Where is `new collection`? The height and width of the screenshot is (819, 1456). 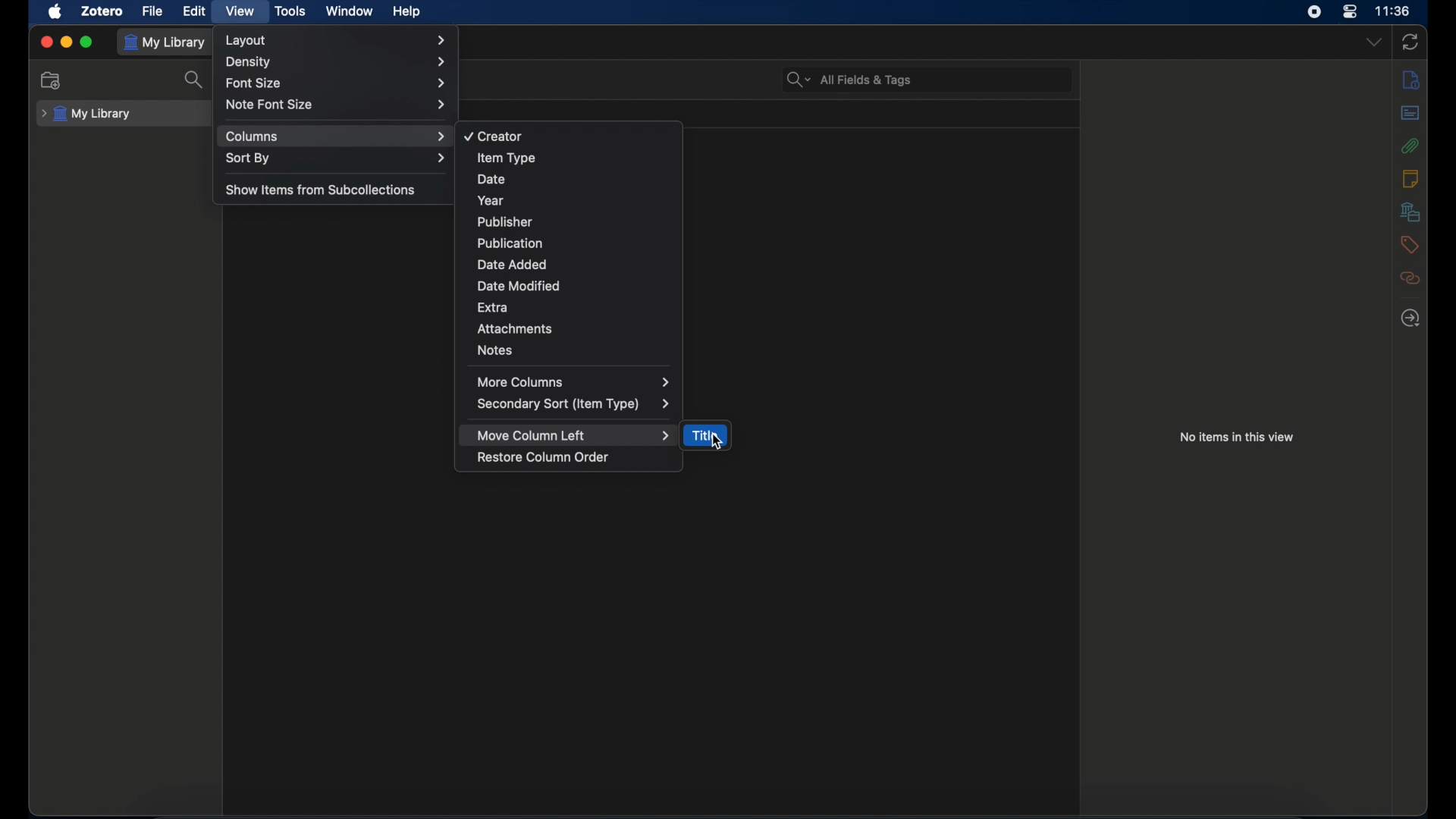
new collection is located at coordinates (53, 81).